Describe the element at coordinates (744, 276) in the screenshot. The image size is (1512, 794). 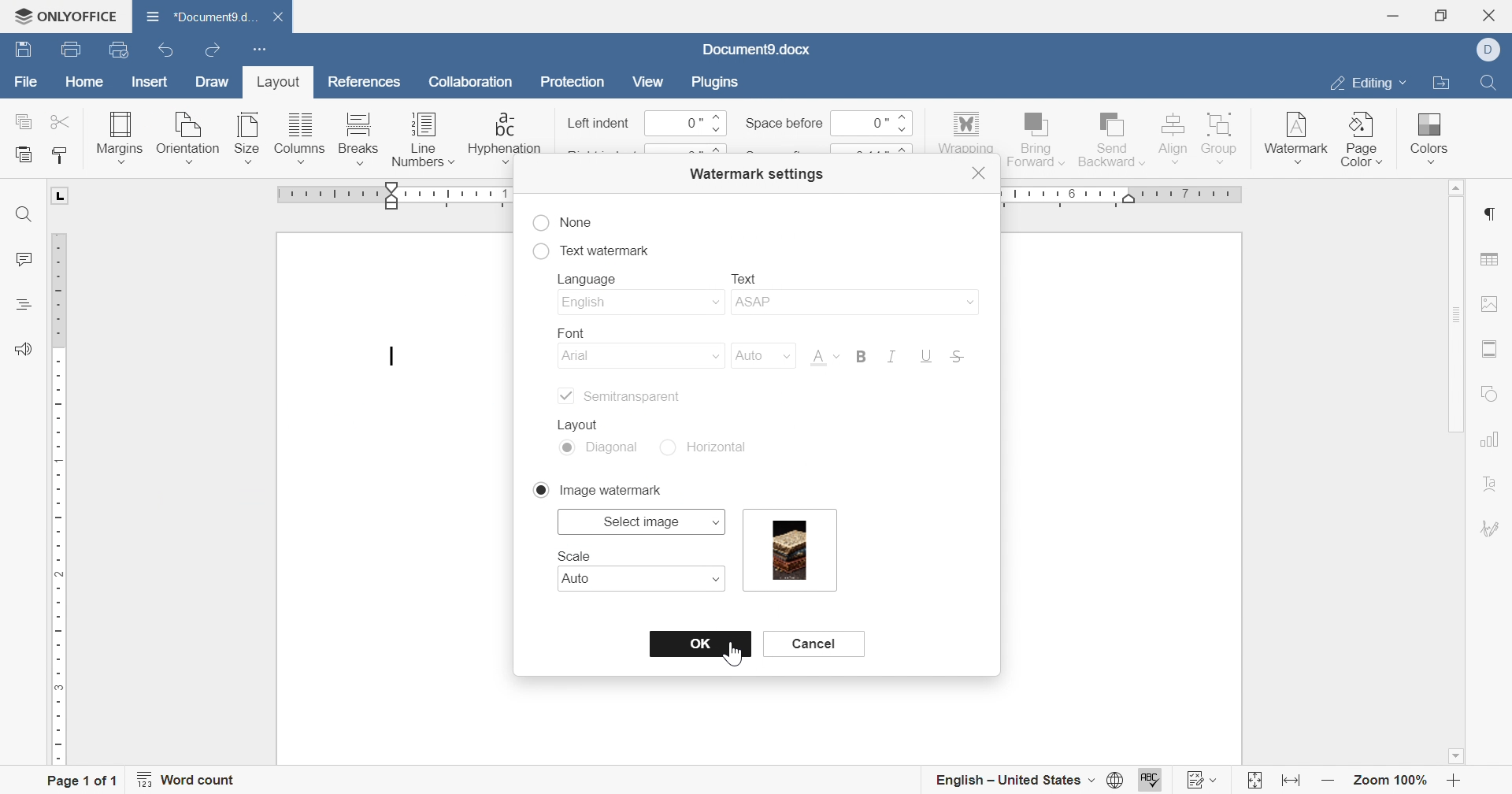
I see `text` at that location.